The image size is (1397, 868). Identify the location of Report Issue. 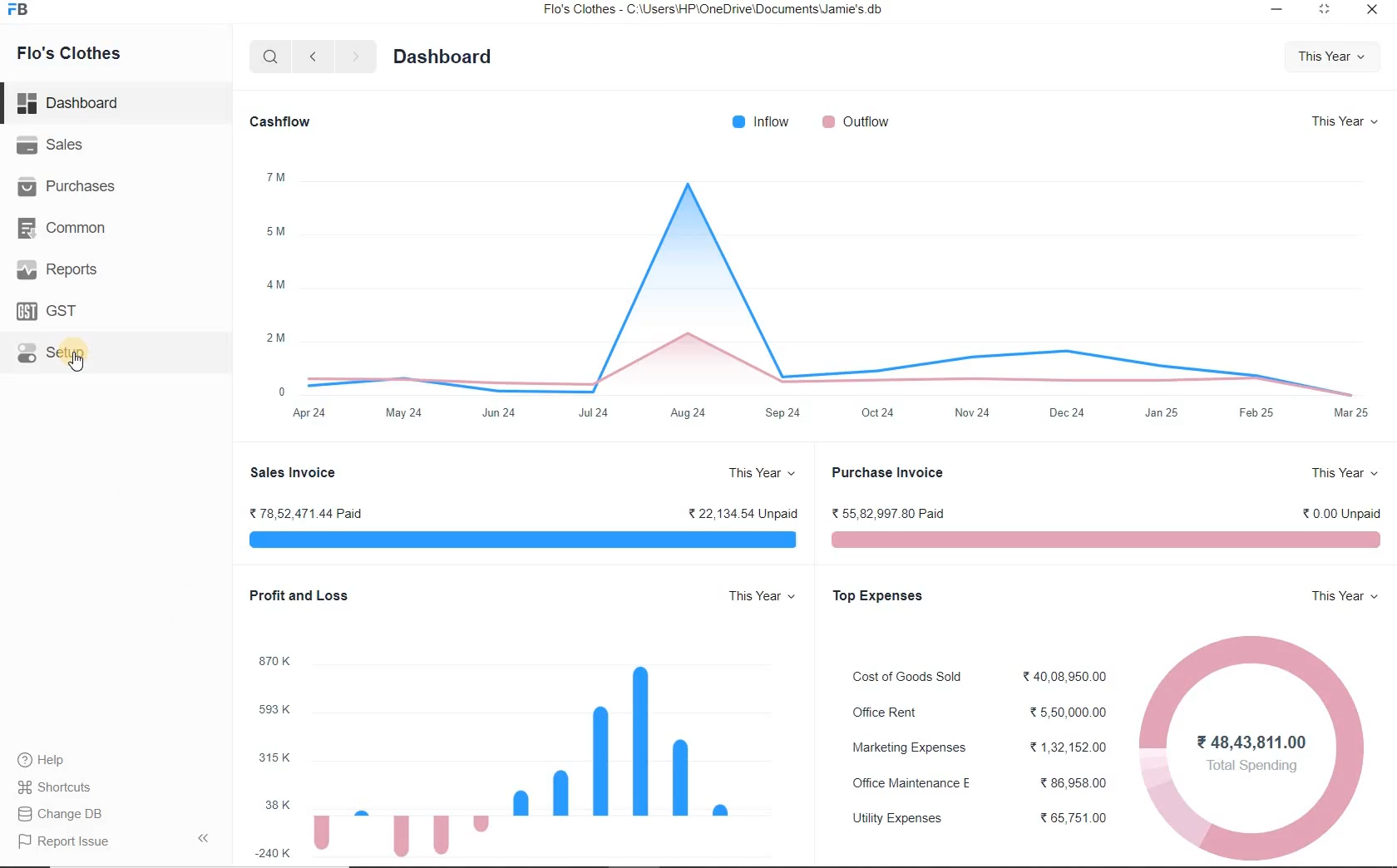
(63, 841).